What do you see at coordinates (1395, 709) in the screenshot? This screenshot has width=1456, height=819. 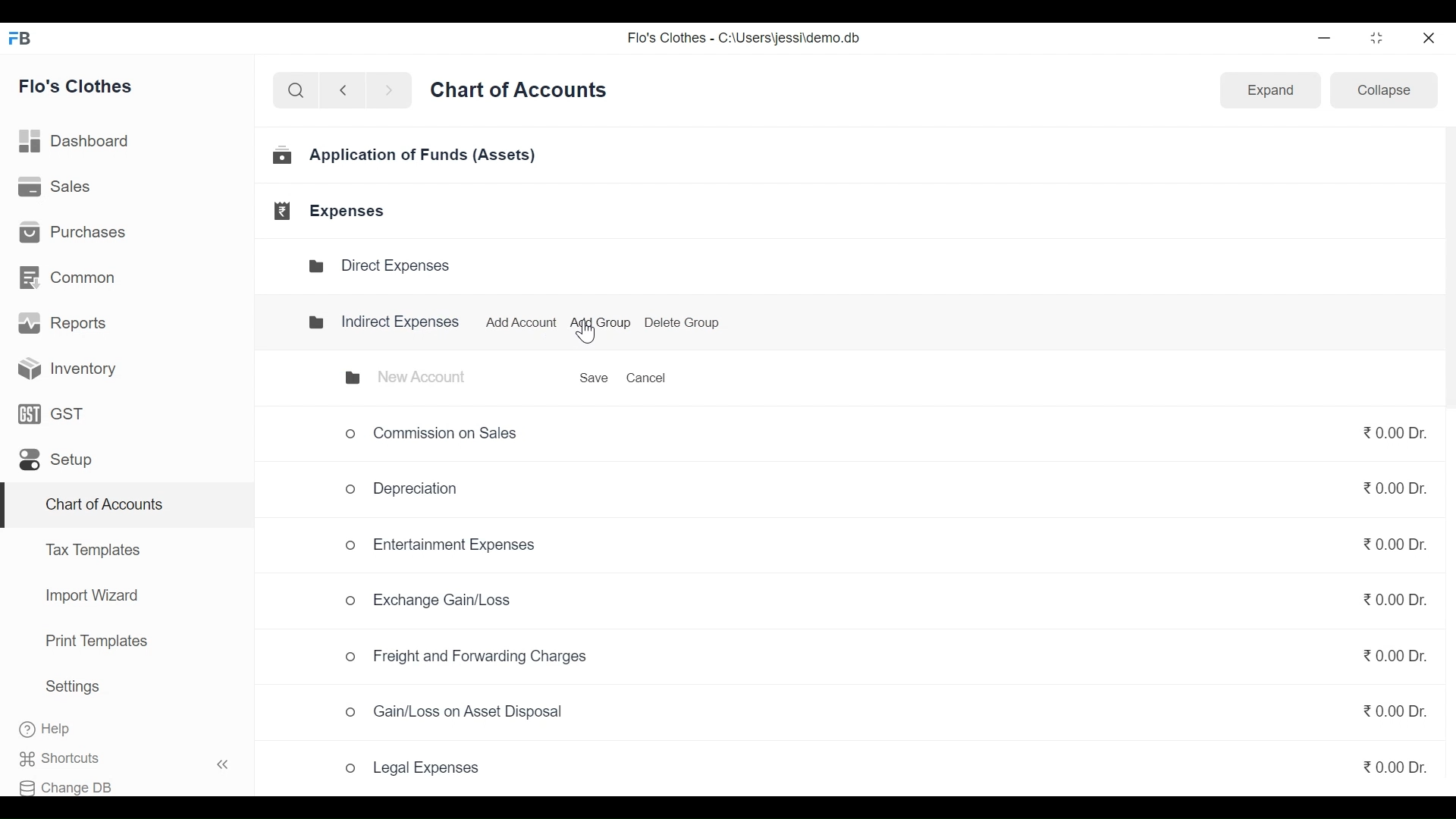 I see `₹0.00 Dr.` at bounding box center [1395, 709].